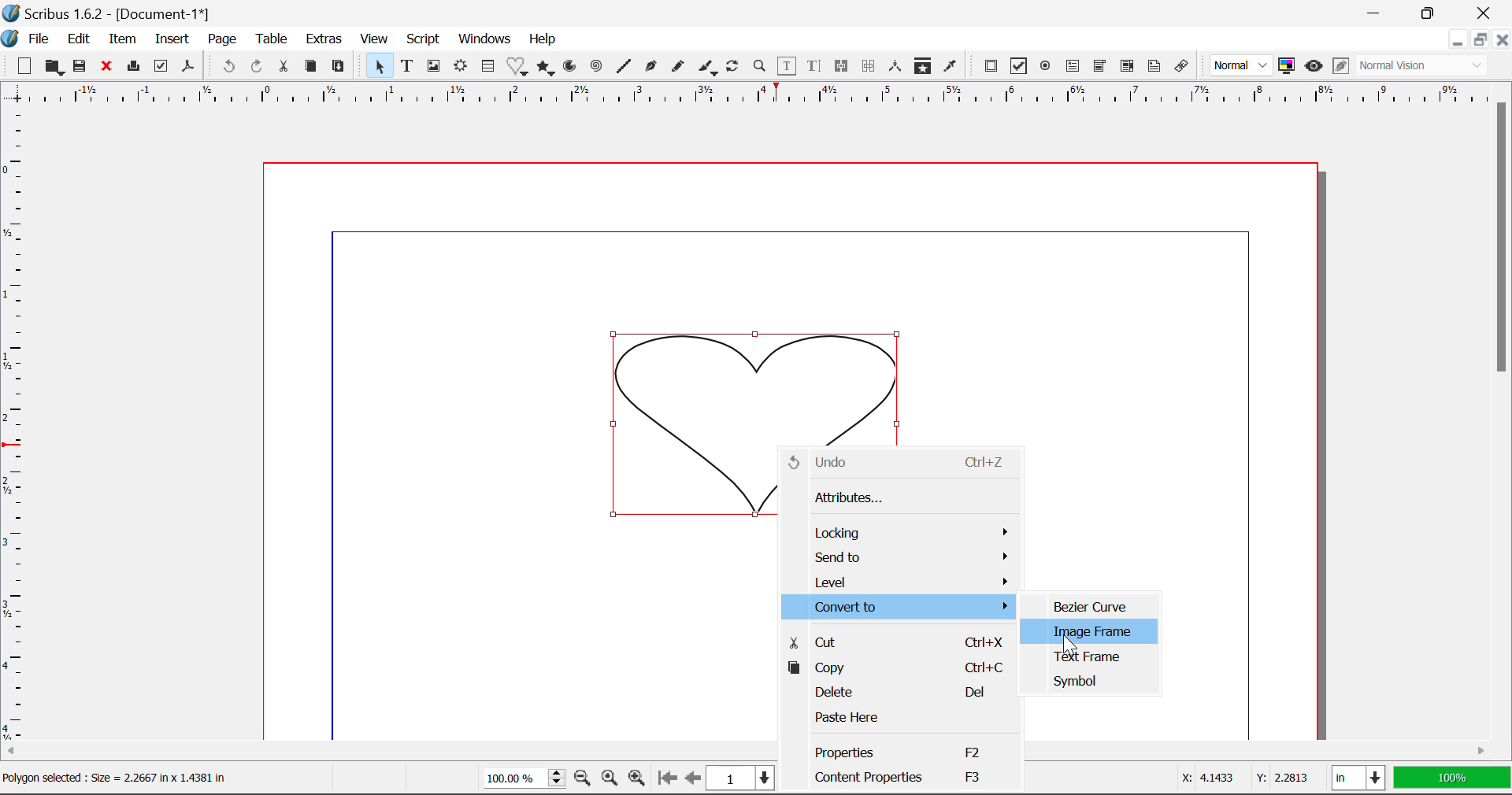 This screenshot has height=795, width=1512. I want to click on Edit Contents in Frame, so click(788, 66).